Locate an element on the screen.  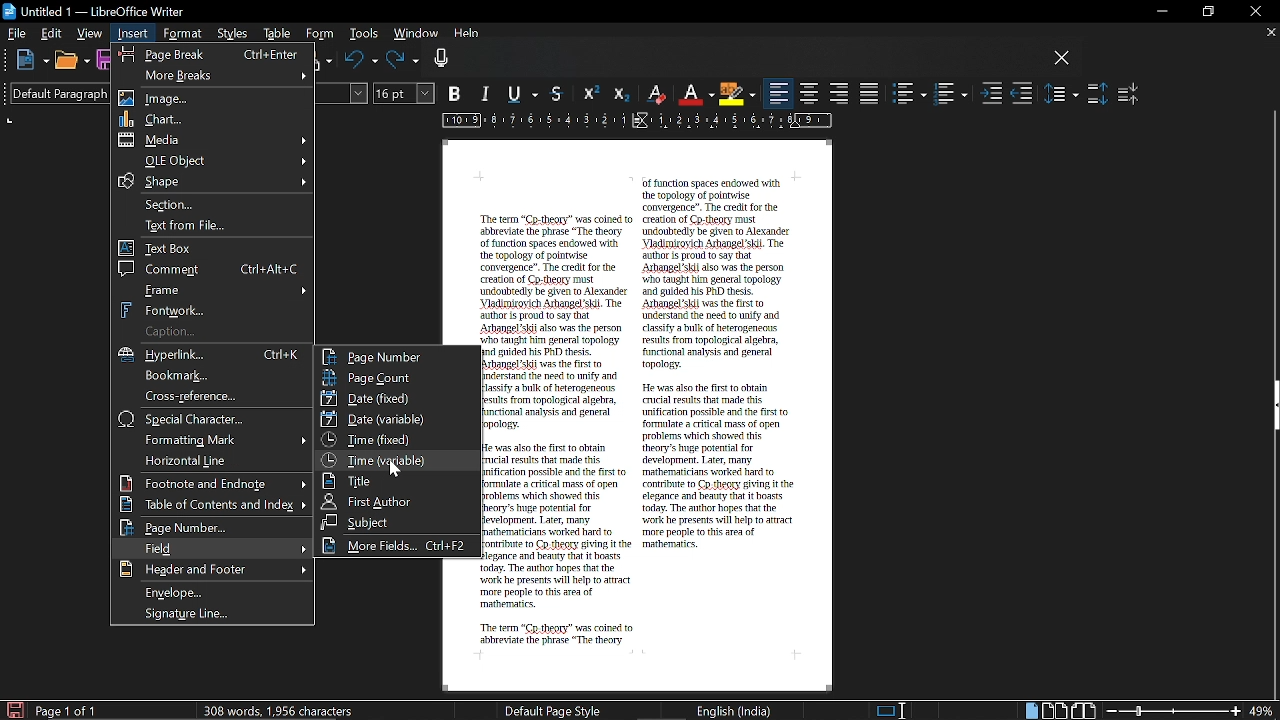
Table is located at coordinates (277, 35).